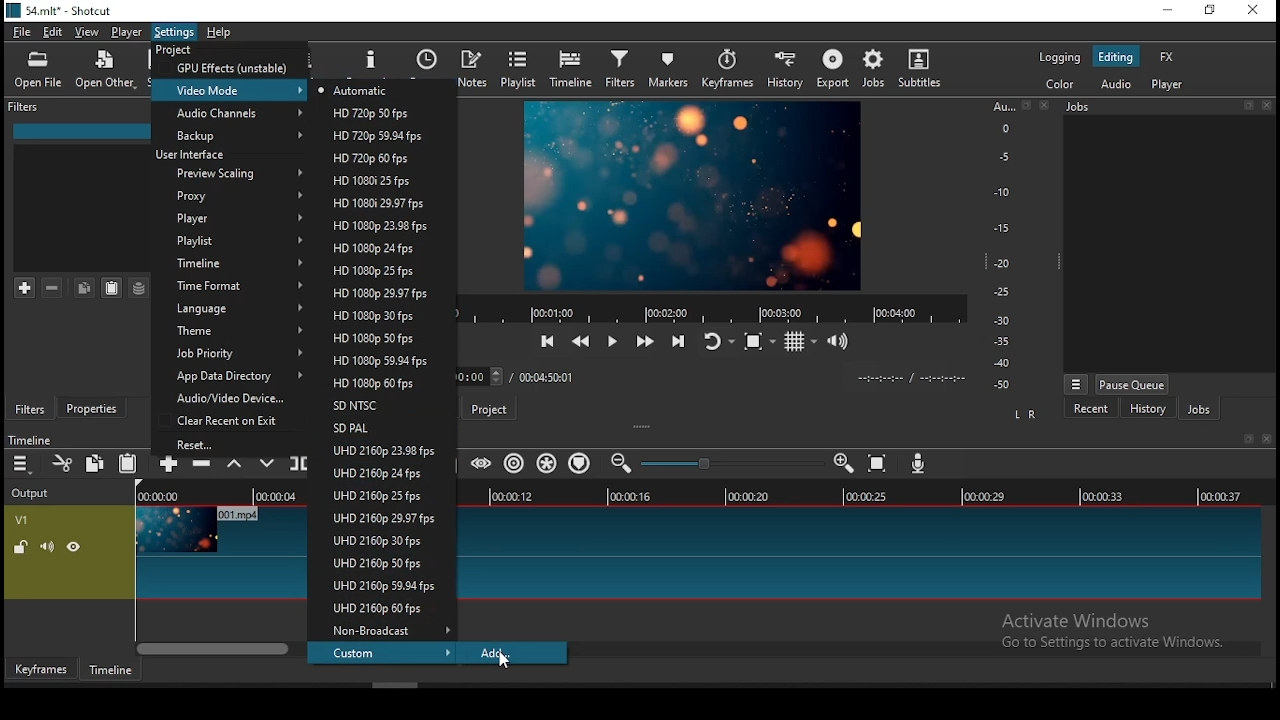  Describe the element at coordinates (1147, 411) in the screenshot. I see `history` at that location.